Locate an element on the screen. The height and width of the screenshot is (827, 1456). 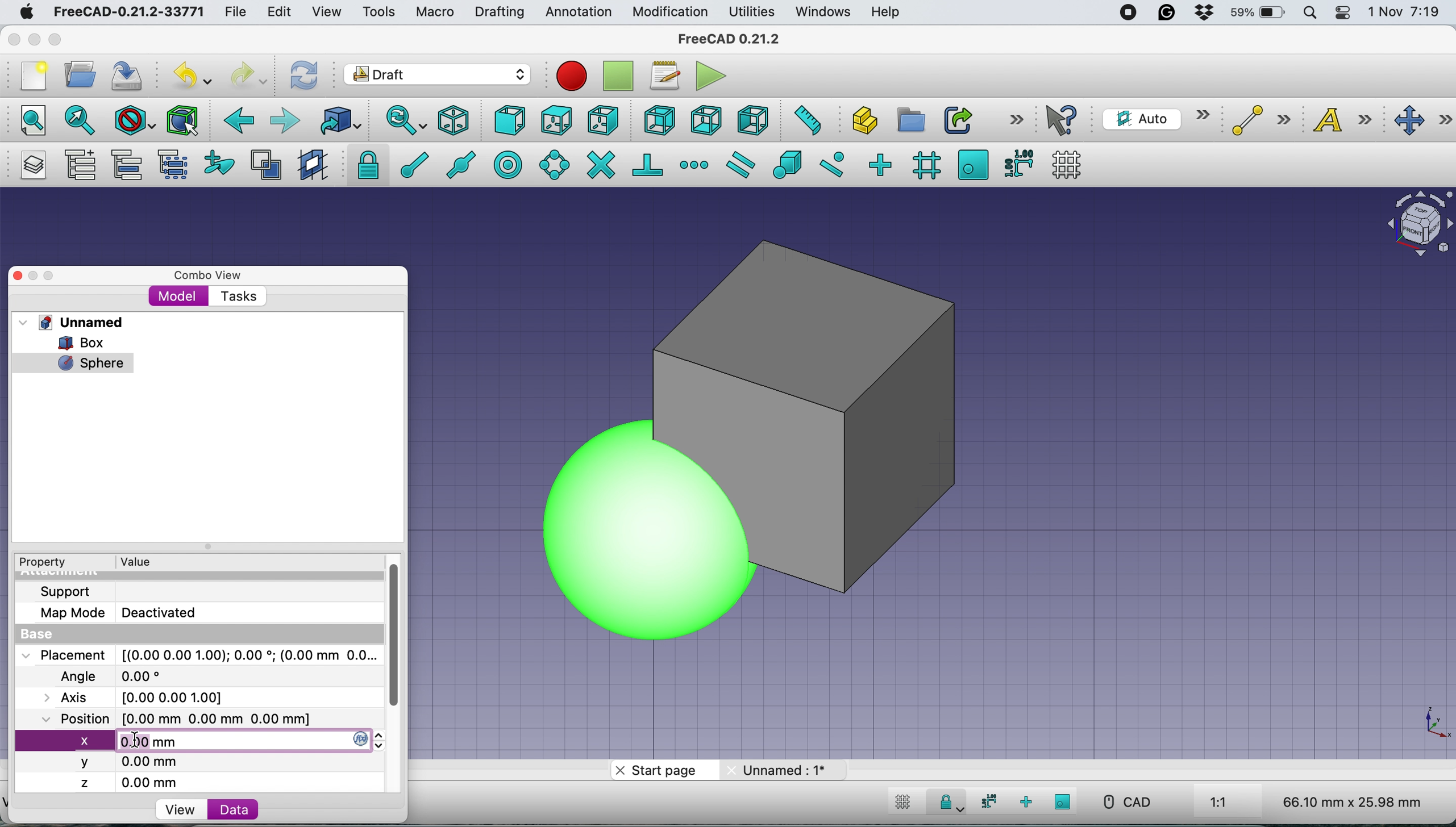
left is located at coordinates (752, 120).